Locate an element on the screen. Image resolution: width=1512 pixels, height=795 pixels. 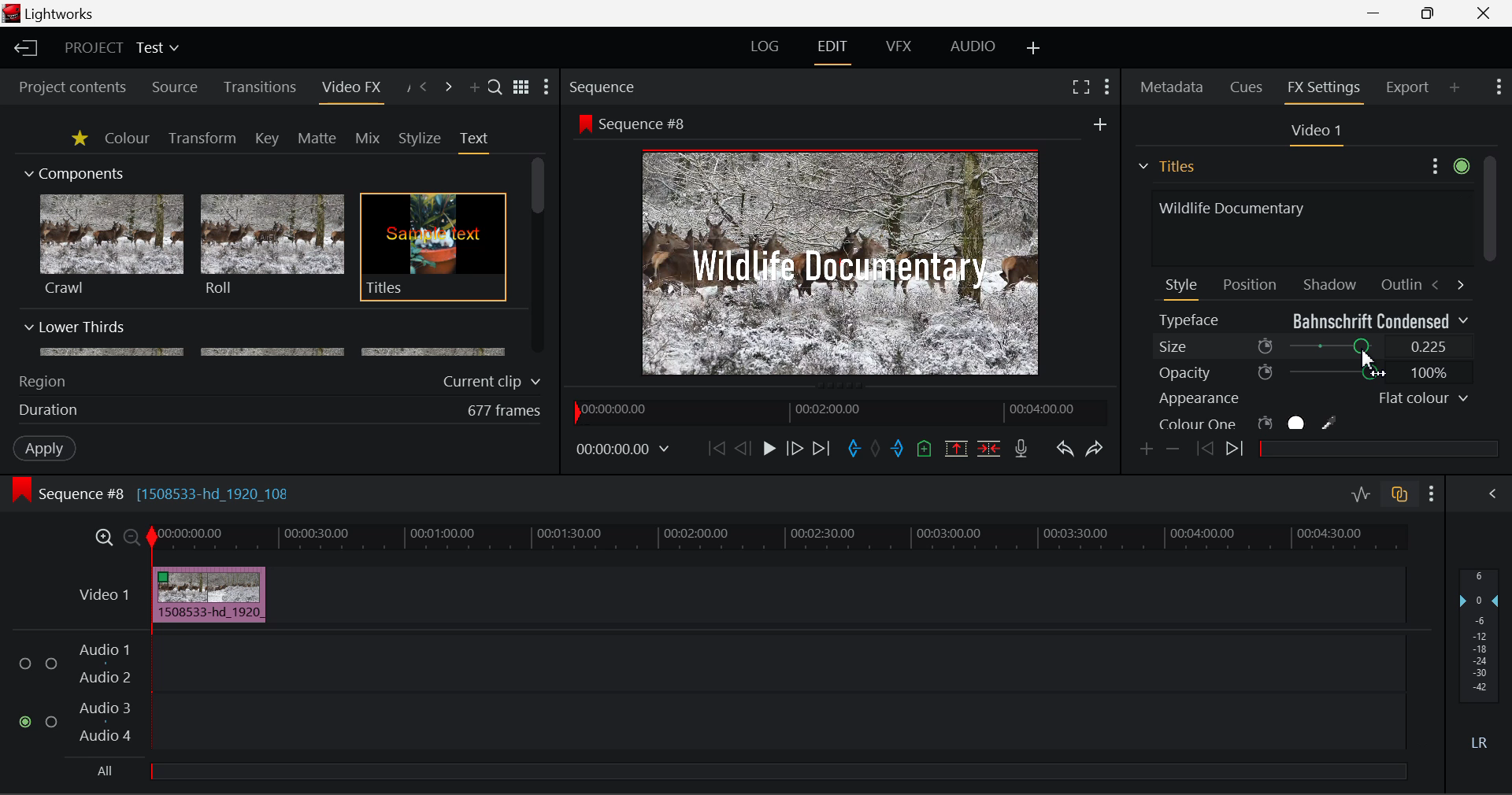
Settings is located at coordinates (1447, 164).